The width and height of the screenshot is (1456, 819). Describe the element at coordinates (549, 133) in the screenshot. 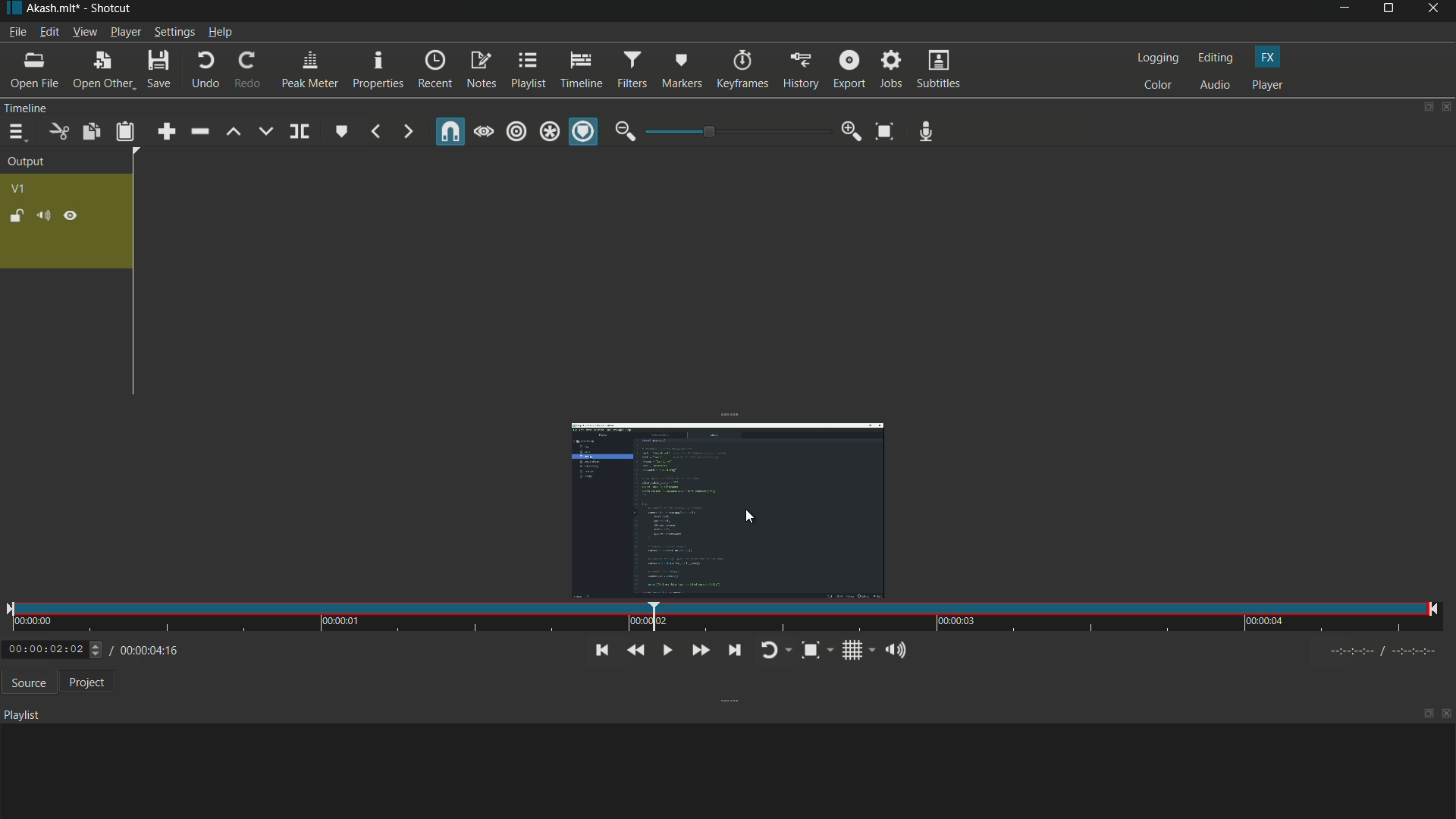

I see `ripple all tracks` at that location.